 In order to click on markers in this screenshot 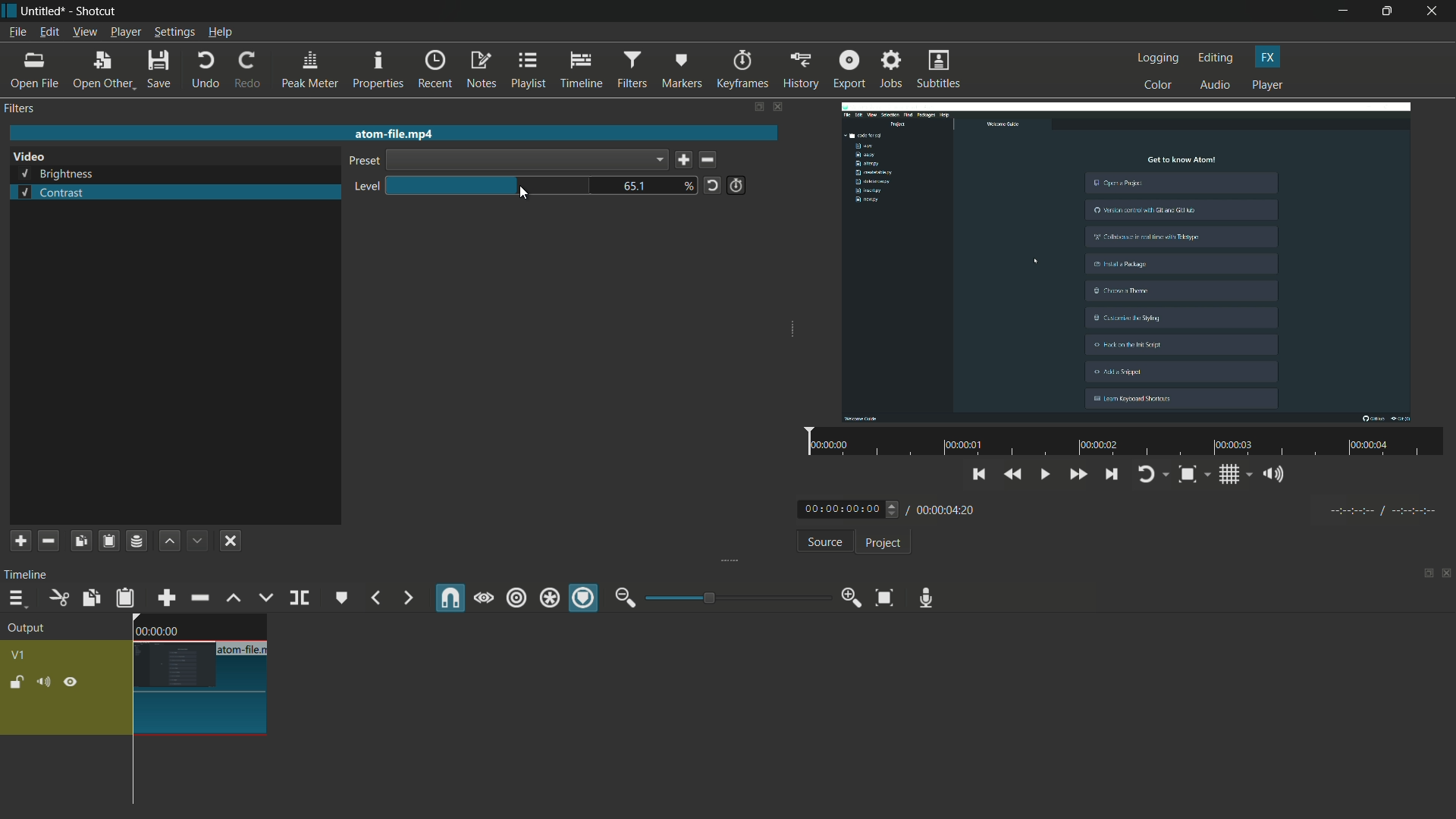, I will do `click(682, 69)`.